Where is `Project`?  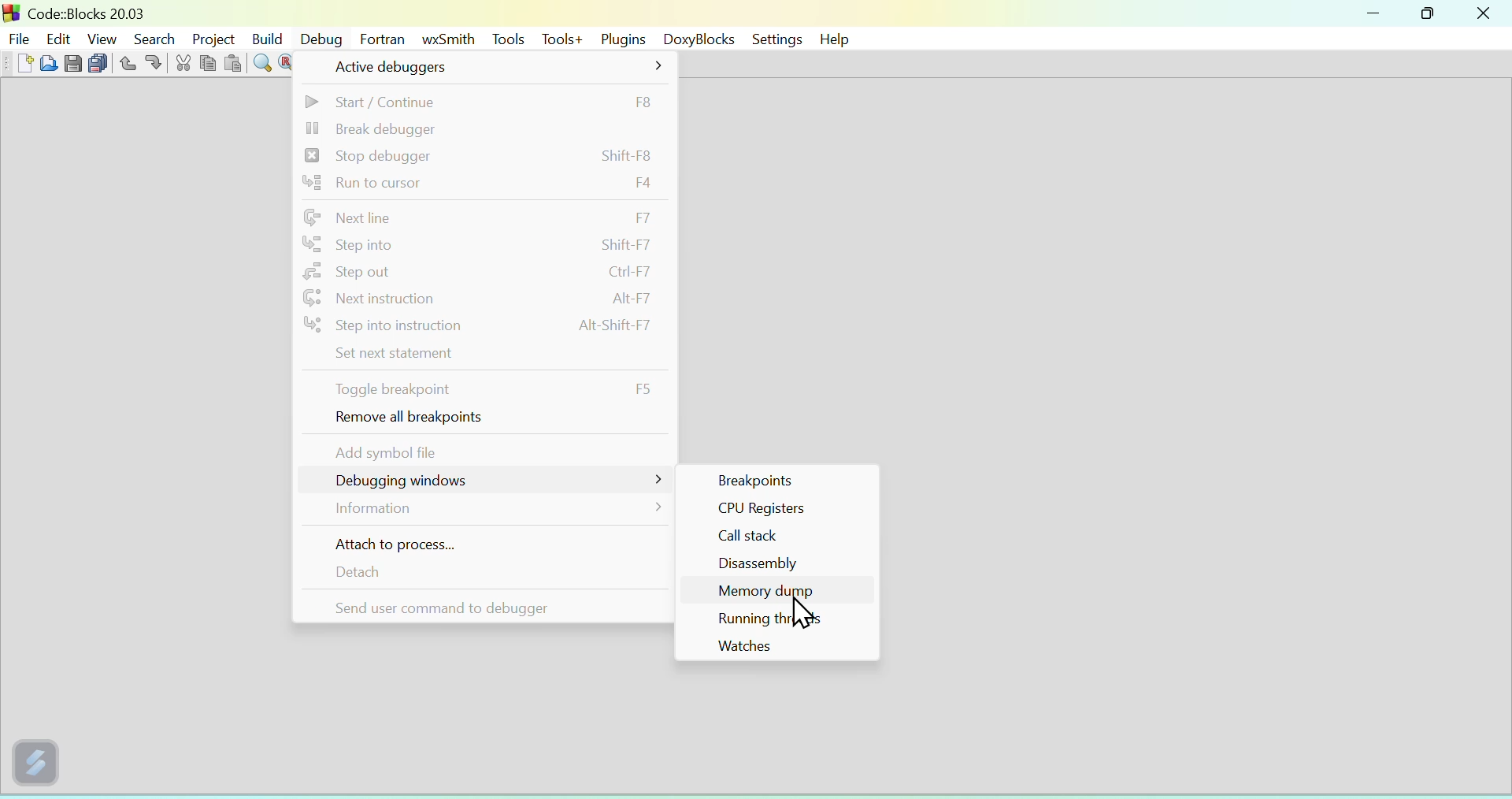 Project is located at coordinates (209, 36).